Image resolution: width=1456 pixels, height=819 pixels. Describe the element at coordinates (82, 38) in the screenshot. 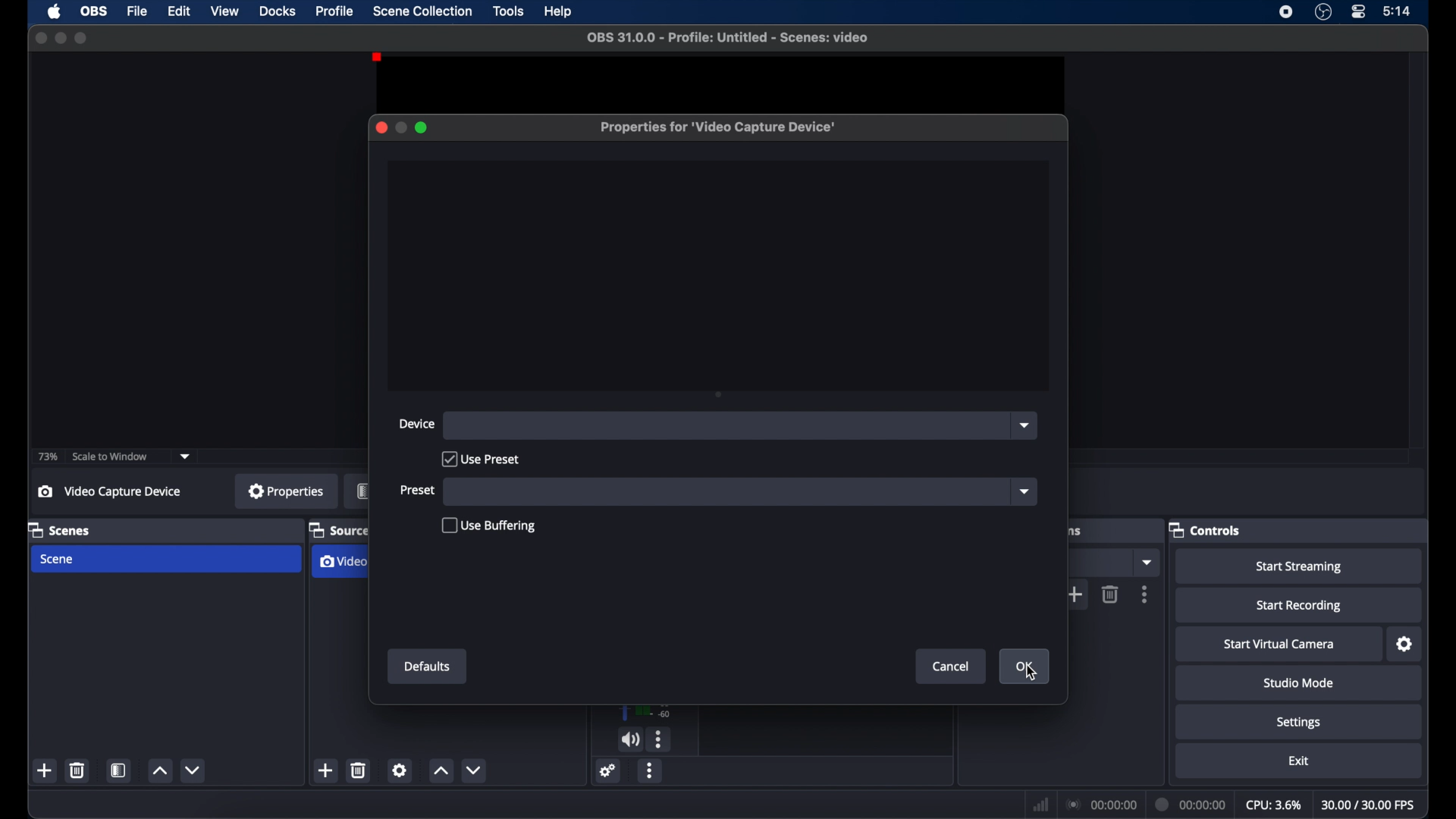

I see `maximize` at that location.